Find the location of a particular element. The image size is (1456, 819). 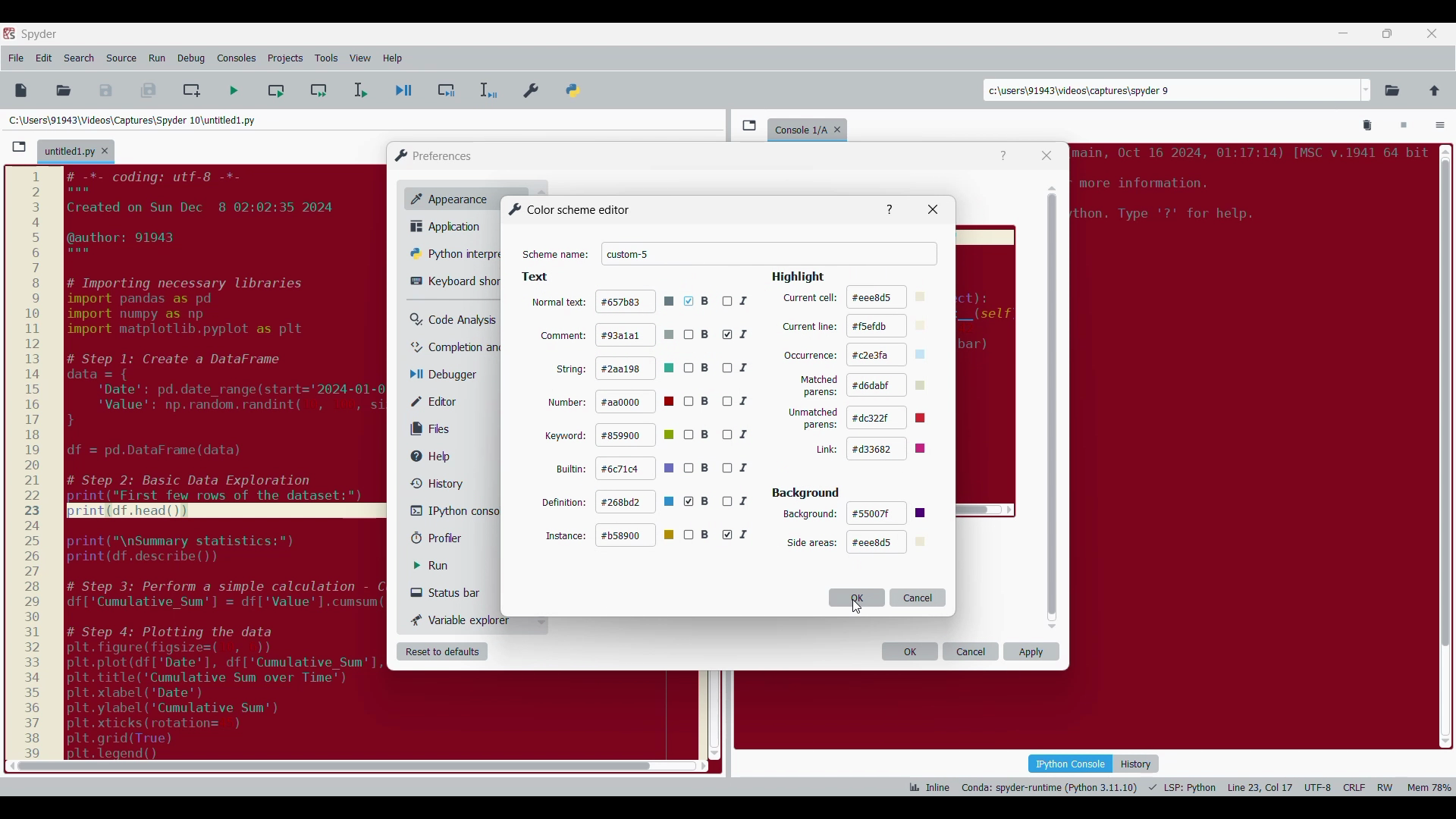

Tools menu is located at coordinates (326, 58).